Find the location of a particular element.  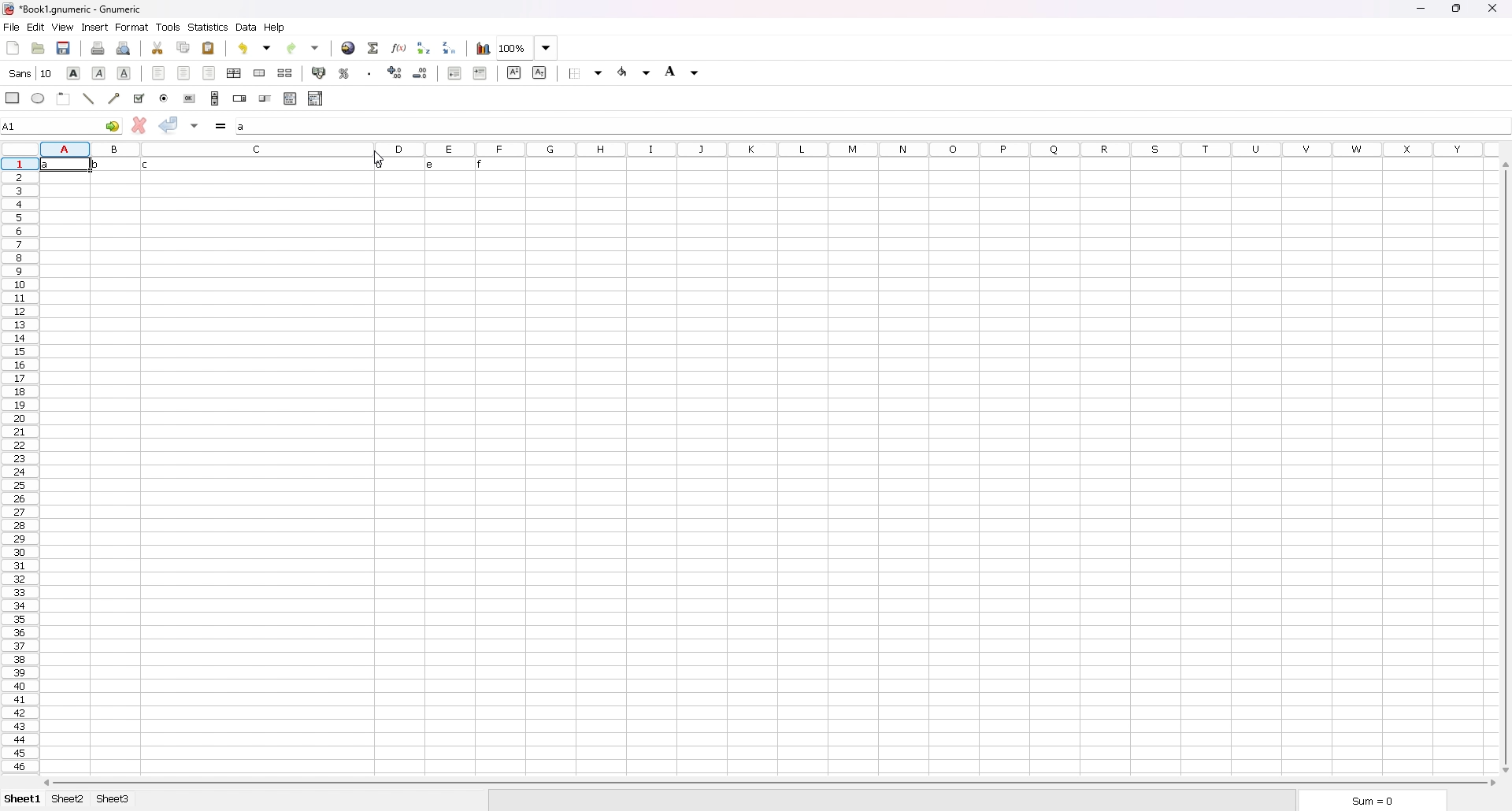

slider is located at coordinates (265, 98).